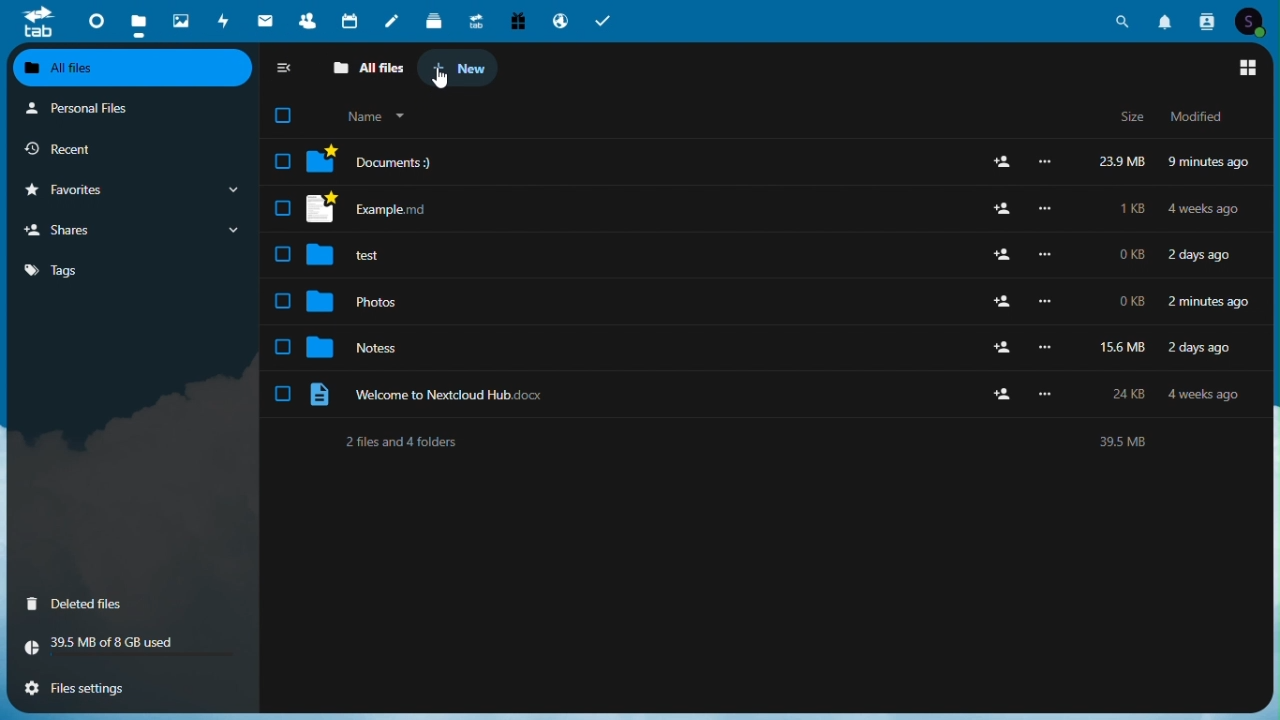 The image size is (1280, 720). What do you see at coordinates (106, 147) in the screenshot?
I see `Recent` at bounding box center [106, 147].